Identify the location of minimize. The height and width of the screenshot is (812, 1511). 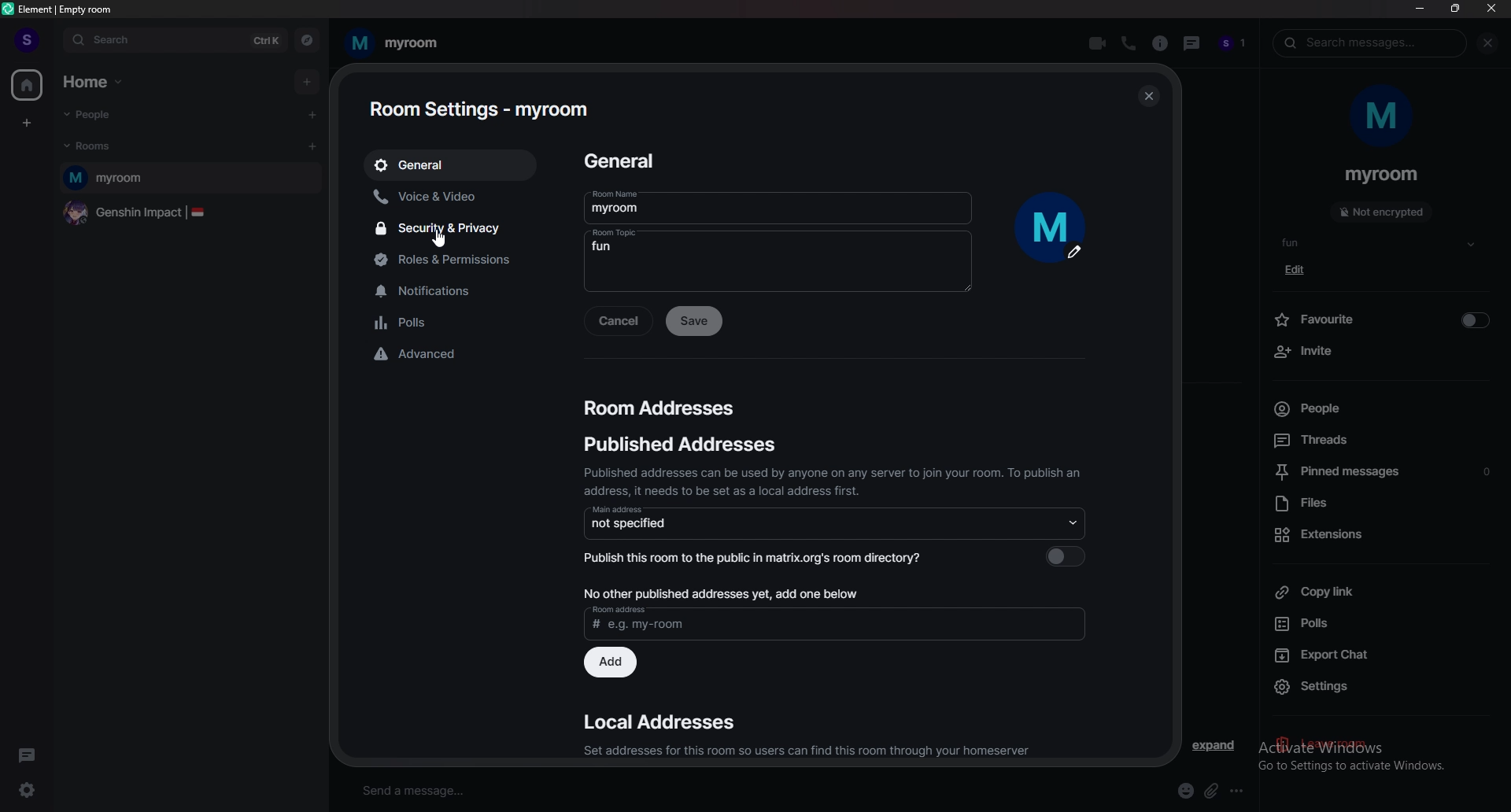
(1421, 10).